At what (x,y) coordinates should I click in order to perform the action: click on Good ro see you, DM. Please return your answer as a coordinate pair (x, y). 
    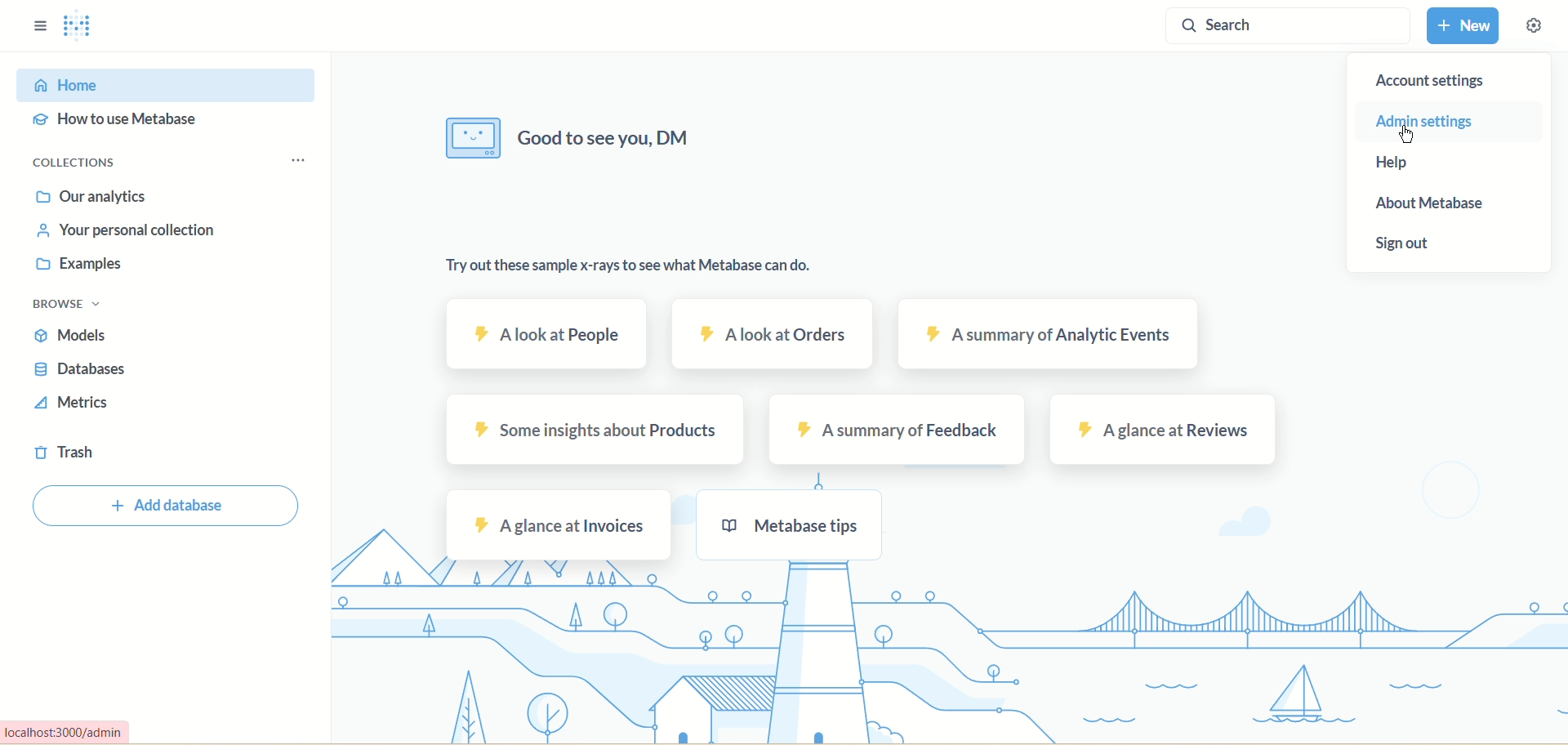
    Looking at the image, I should click on (606, 136).